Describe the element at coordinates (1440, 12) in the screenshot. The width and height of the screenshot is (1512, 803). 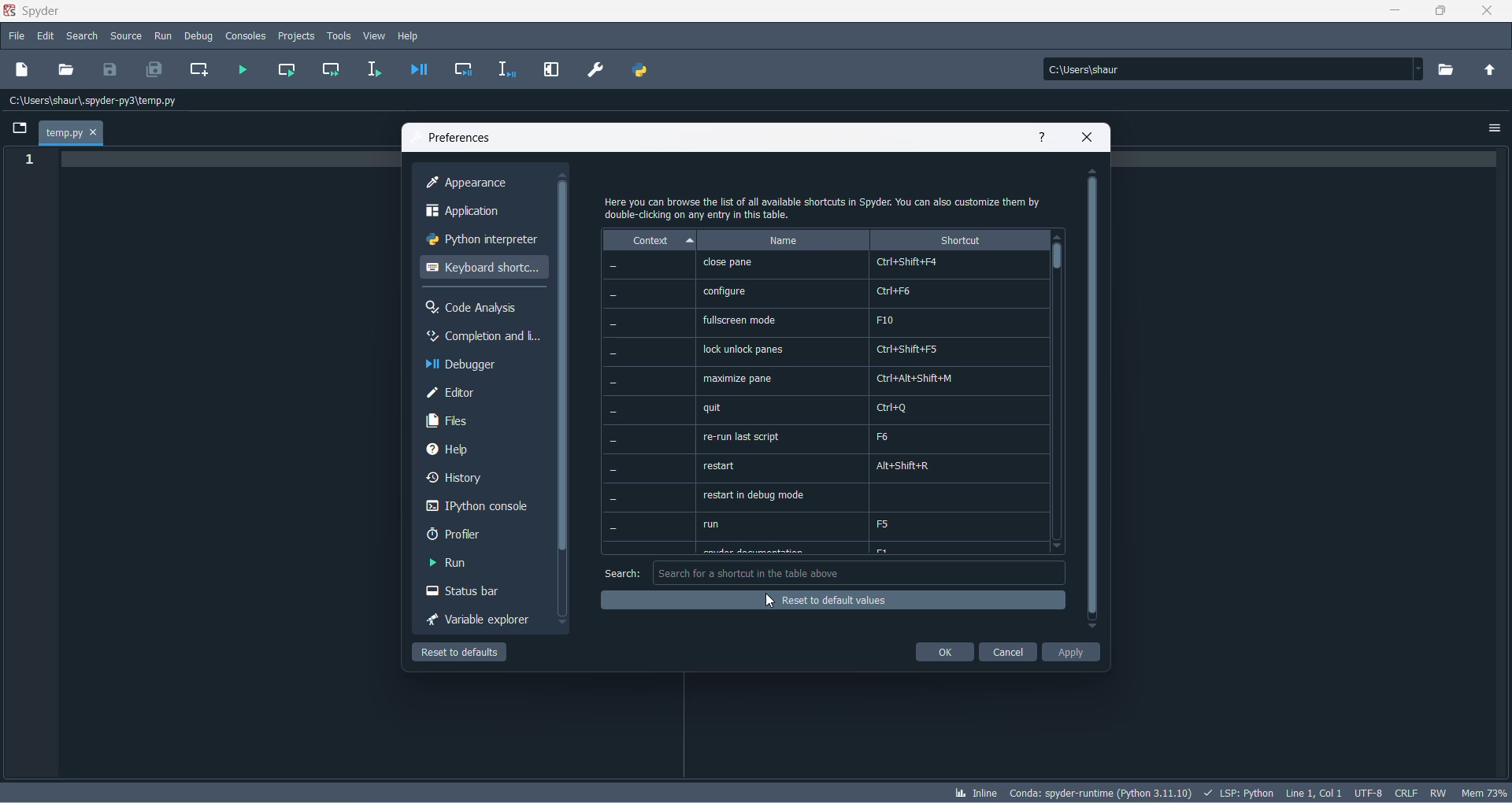
I see `maximize` at that location.